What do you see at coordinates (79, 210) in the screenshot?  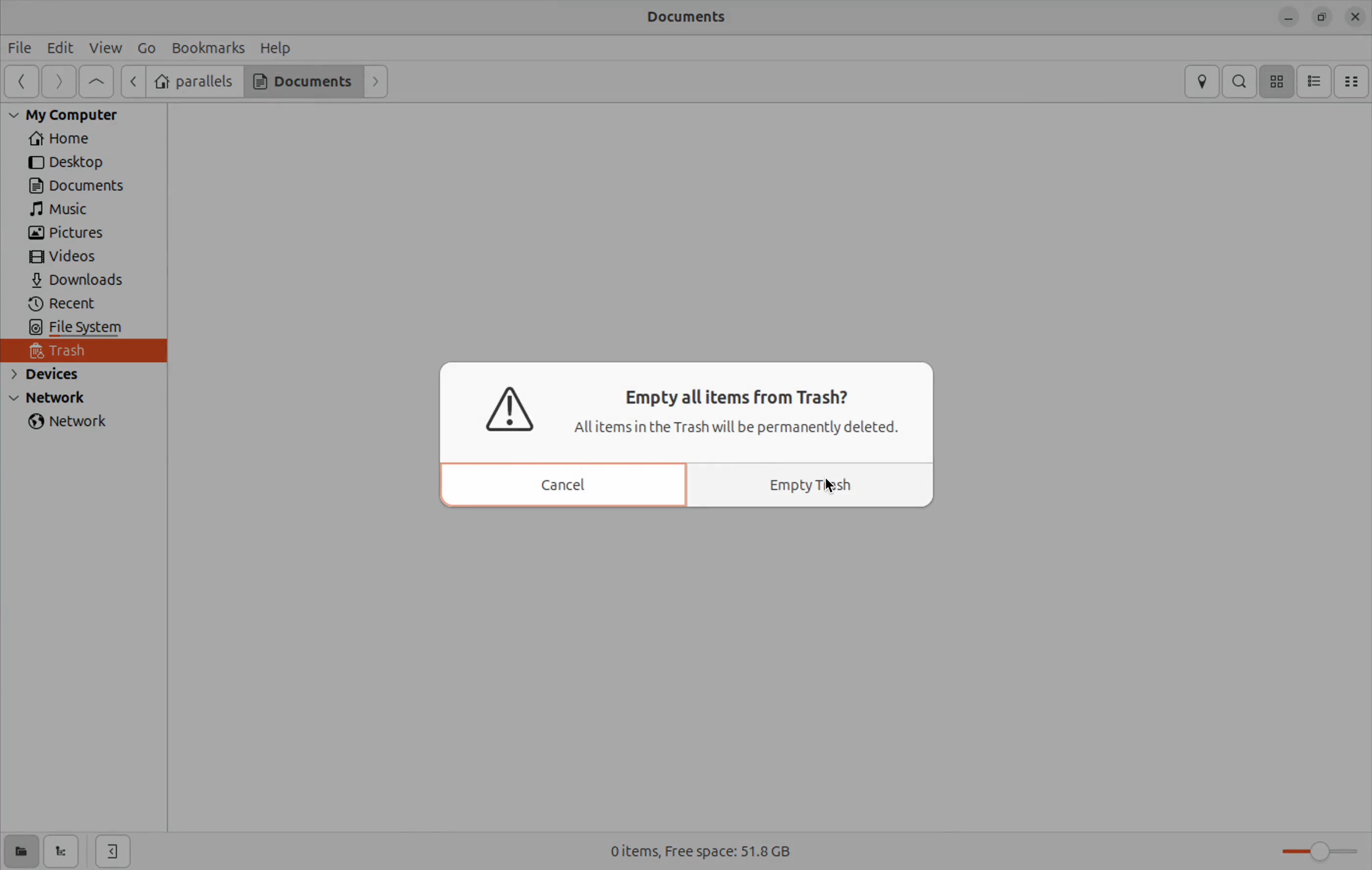 I see `Music` at bounding box center [79, 210].